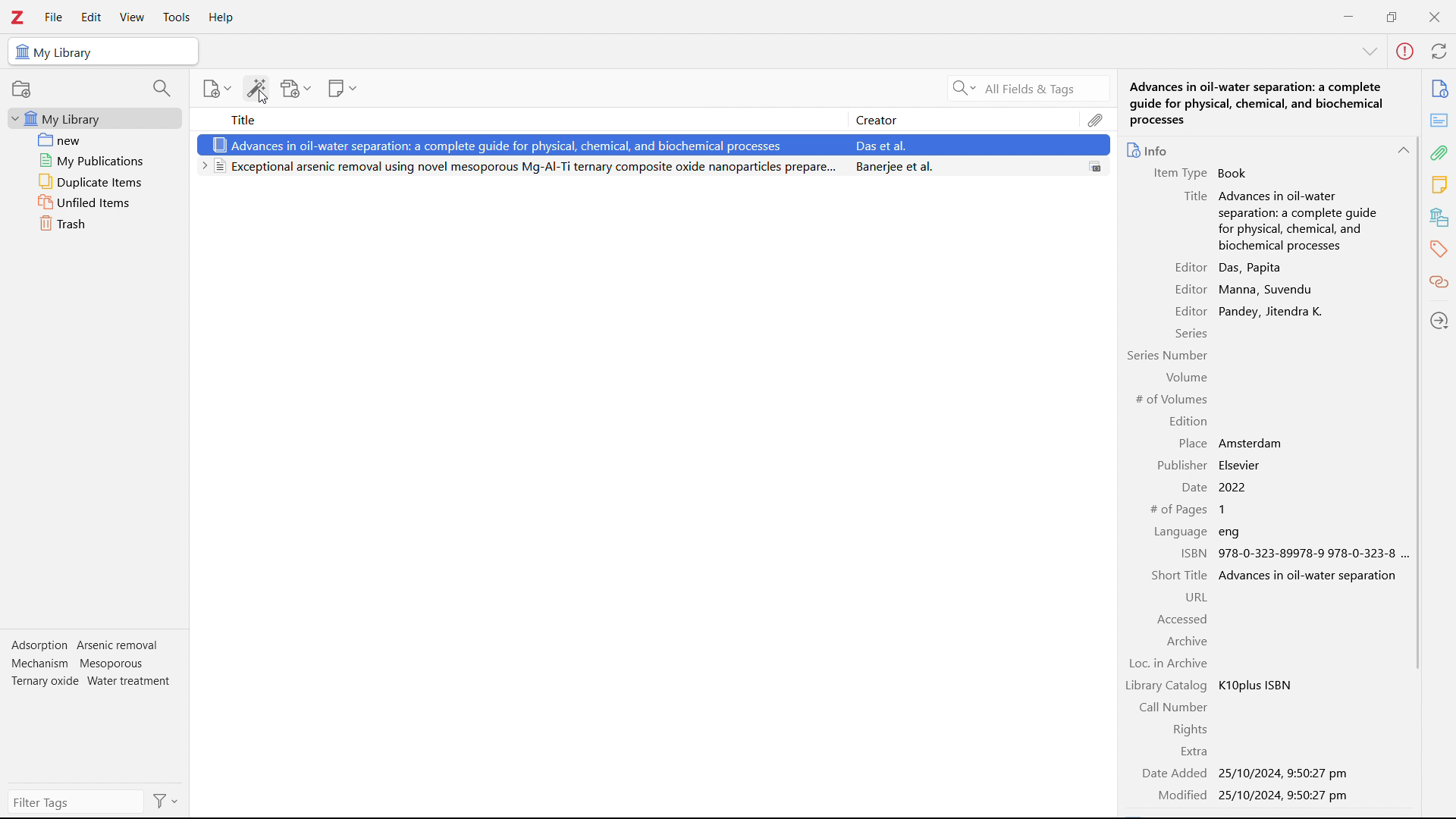  Describe the element at coordinates (1439, 89) in the screenshot. I see `info` at that location.